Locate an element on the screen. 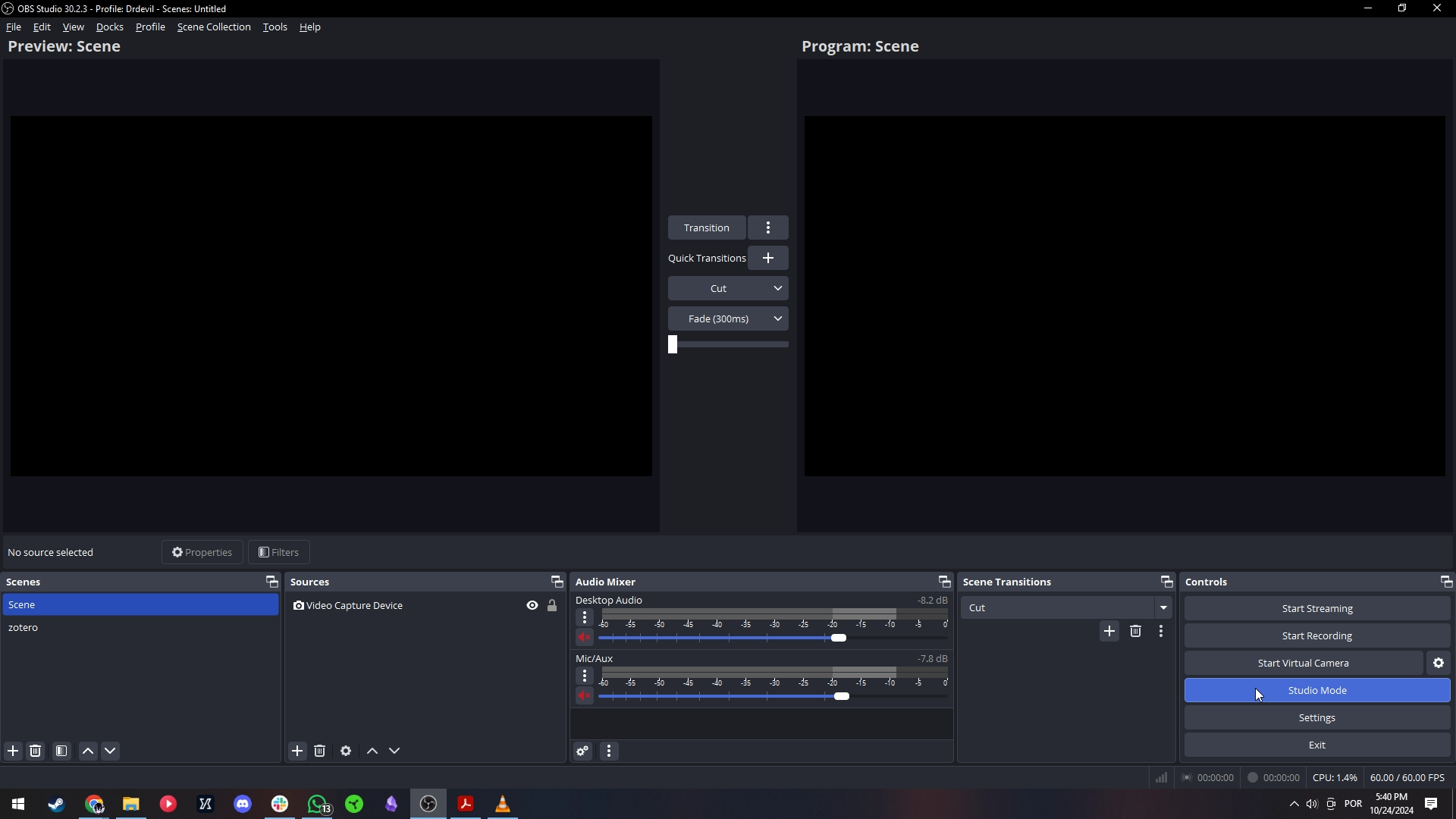 The image size is (1456, 819). Scene program is located at coordinates (862, 48).